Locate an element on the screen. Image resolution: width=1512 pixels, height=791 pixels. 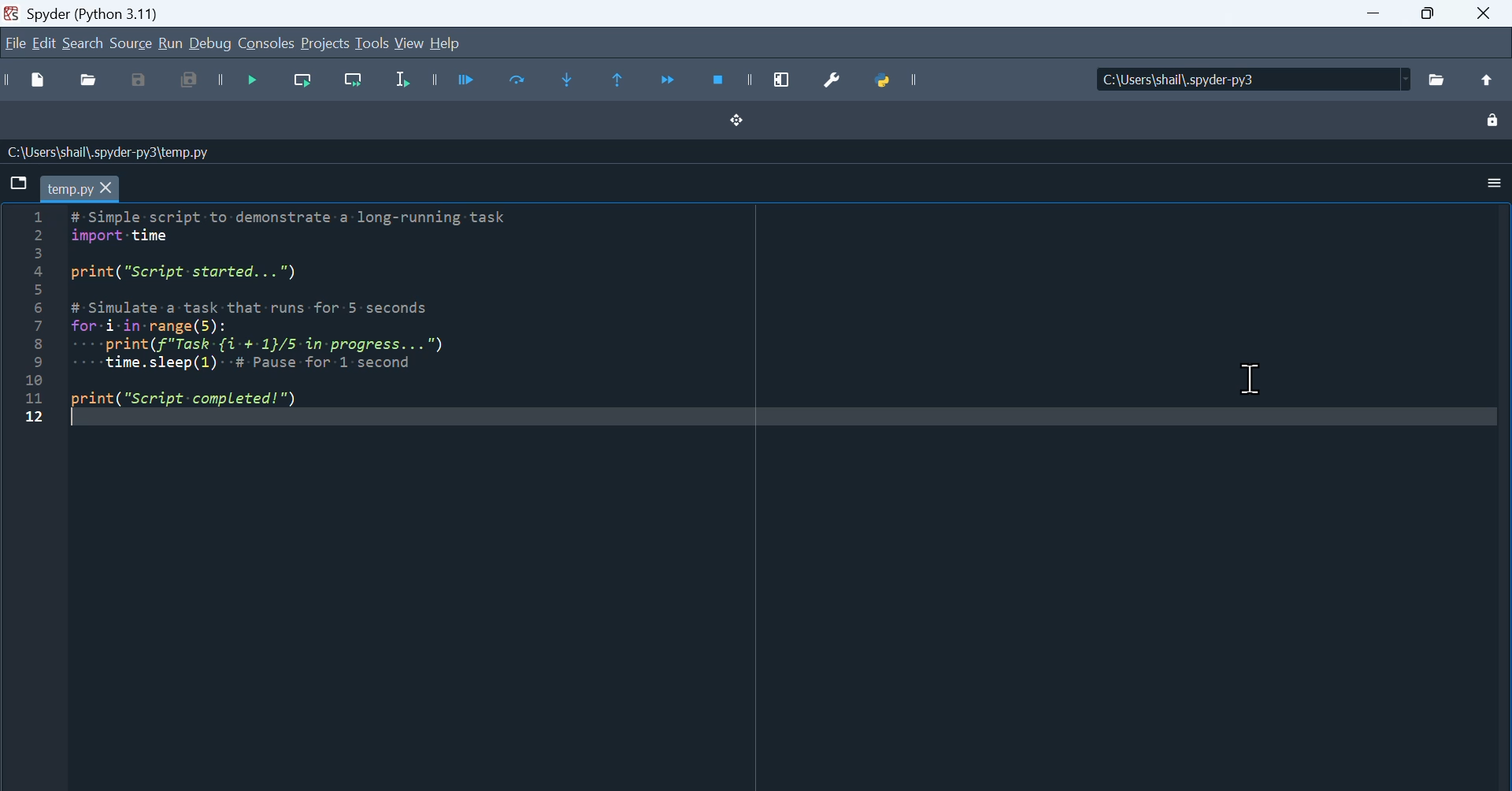
Edit is located at coordinates (44, 42).